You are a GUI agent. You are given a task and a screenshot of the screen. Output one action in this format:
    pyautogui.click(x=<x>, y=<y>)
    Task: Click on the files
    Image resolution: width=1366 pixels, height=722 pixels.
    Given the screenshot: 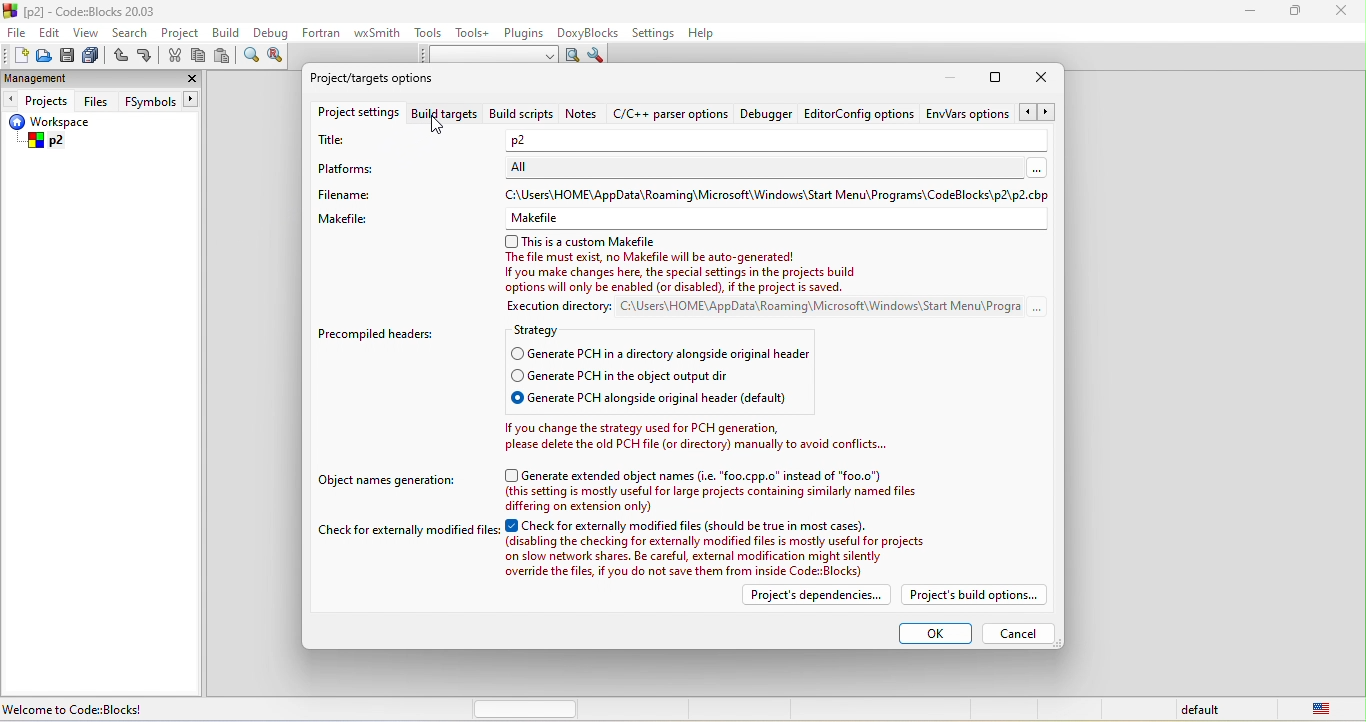 What is the action you would take?
    pyautogui.click(x=97, y=100)
    